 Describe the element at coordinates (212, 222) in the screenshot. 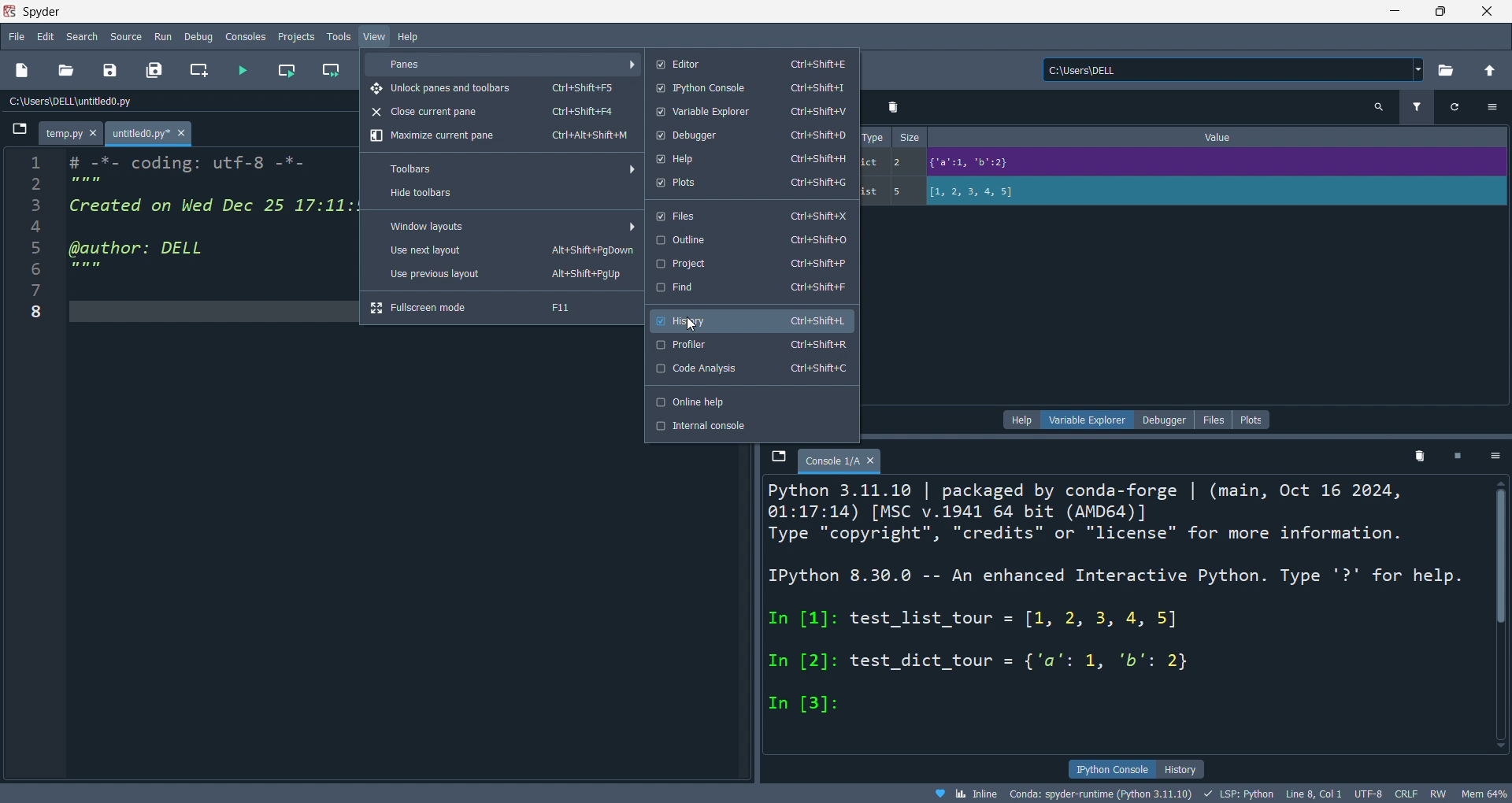

I see `editor pane` at that location.